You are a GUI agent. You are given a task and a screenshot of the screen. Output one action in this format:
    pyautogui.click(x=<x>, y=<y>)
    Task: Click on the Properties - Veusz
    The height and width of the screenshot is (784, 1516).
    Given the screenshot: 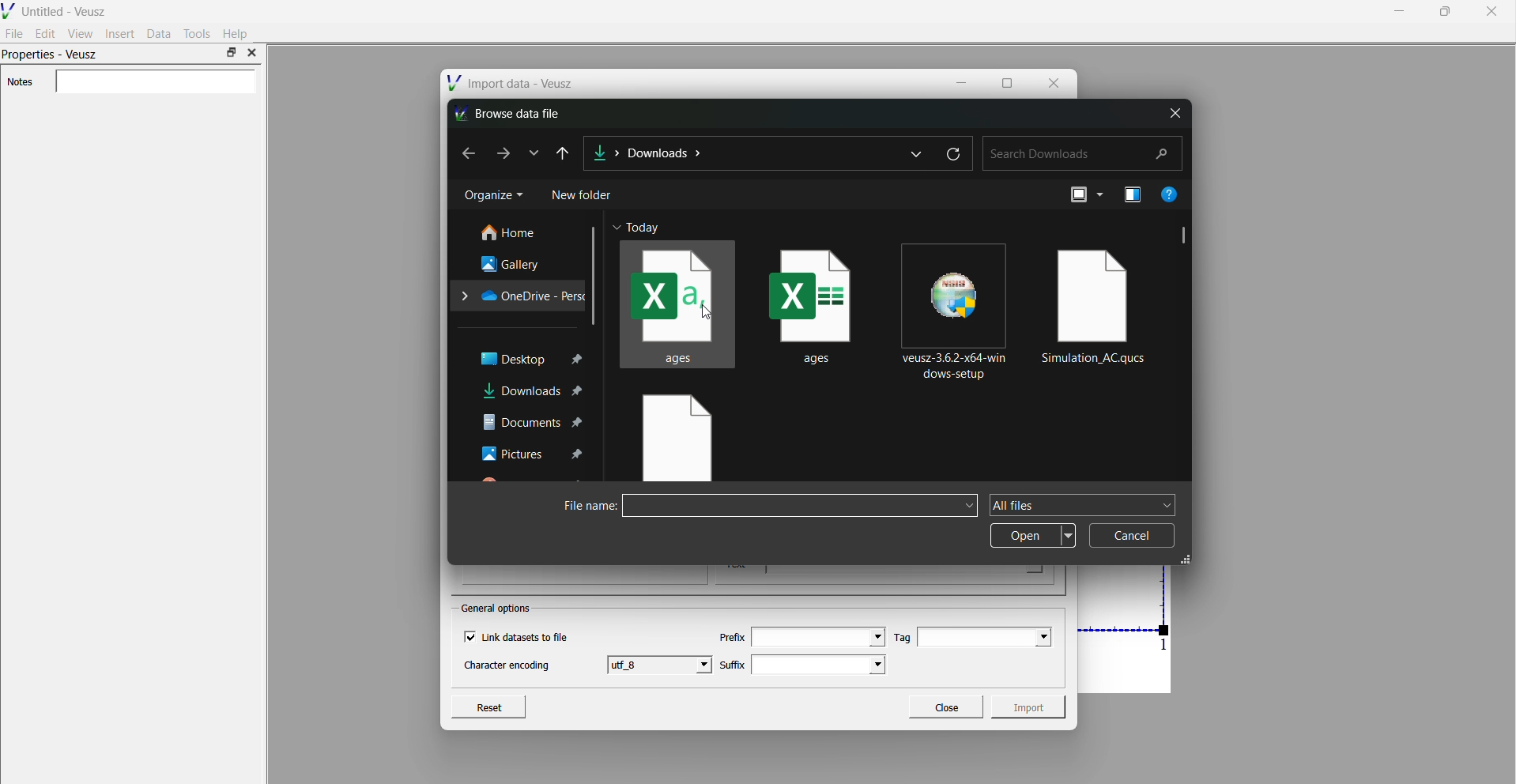 What is the action you would take?
    pyautogui.click(x=52, y=56)
    